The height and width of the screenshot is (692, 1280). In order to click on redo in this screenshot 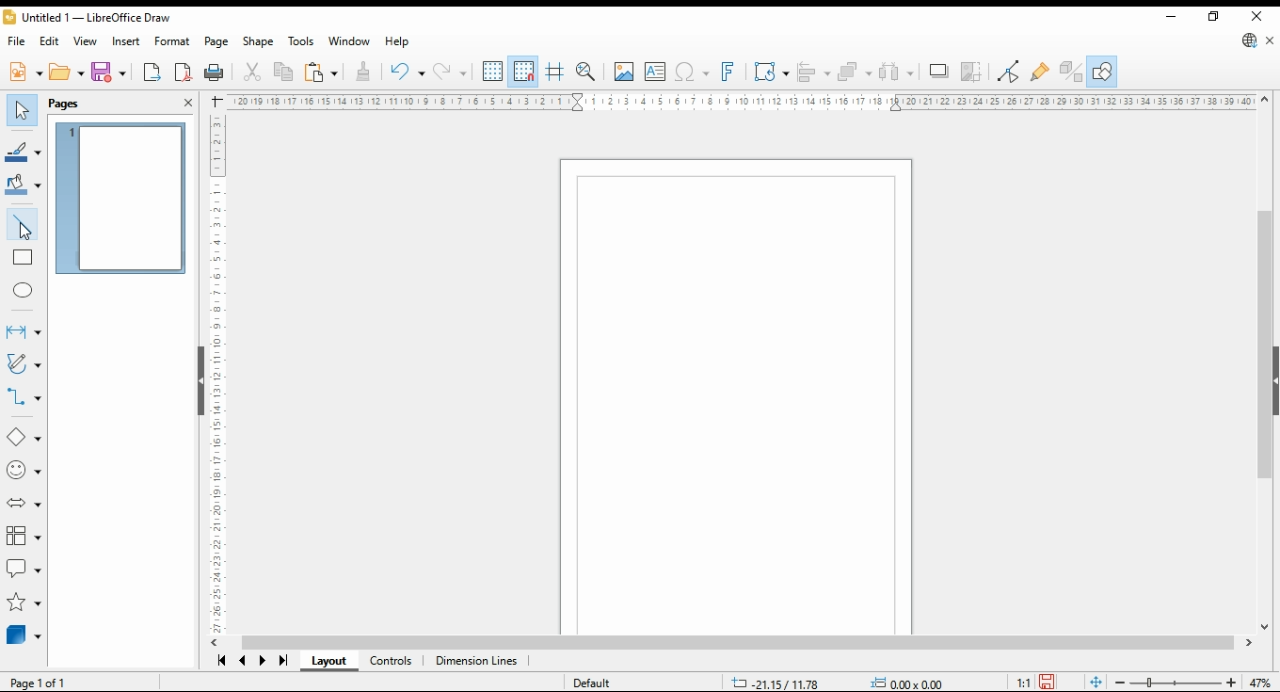, I will do `click(406, 73)`.